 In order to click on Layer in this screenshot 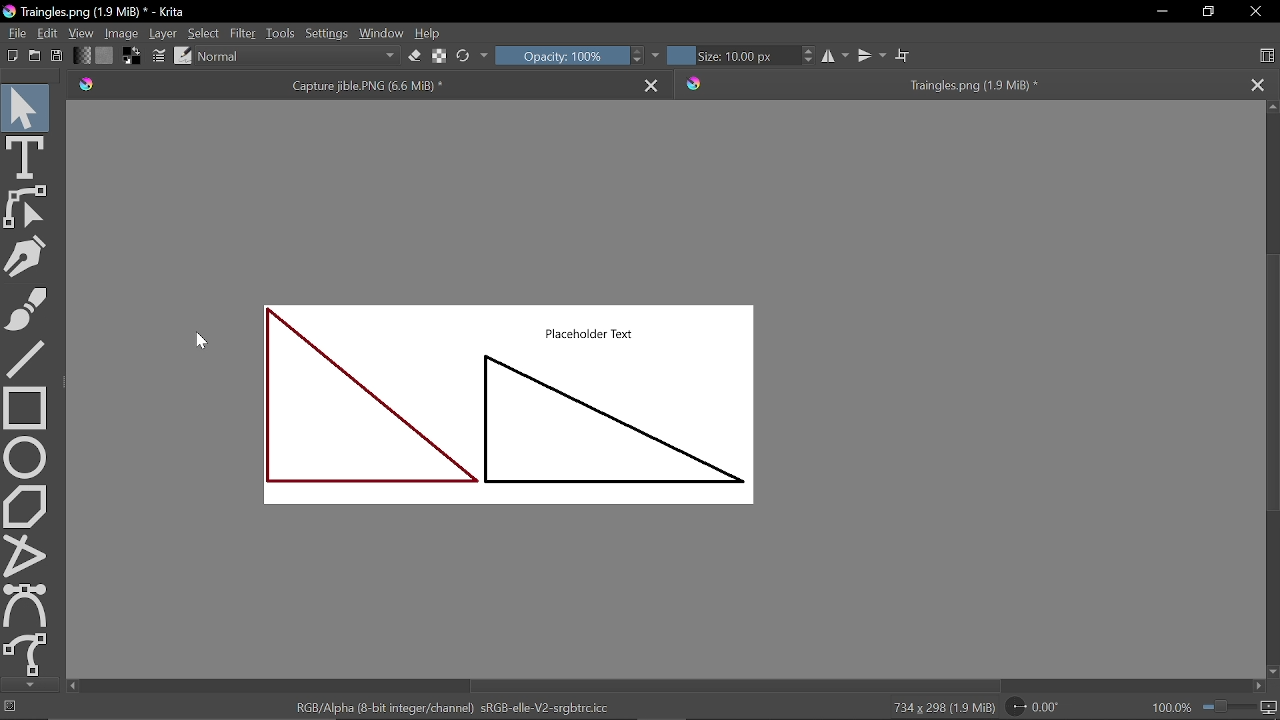, I will do `click(163, 33)`.